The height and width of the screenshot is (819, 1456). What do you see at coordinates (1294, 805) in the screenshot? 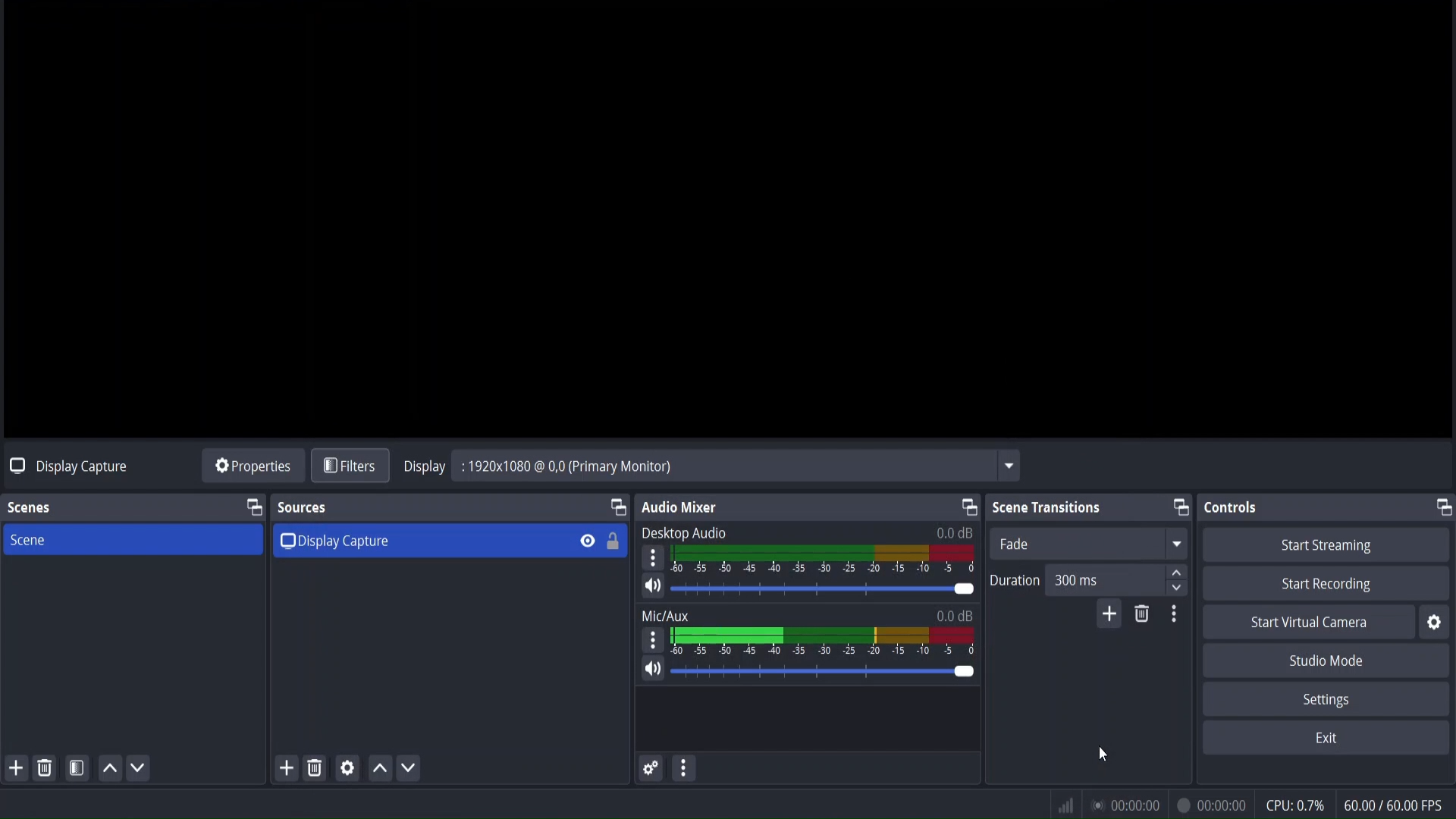
I see `cpu usage` at bounding box center [1294, 805].